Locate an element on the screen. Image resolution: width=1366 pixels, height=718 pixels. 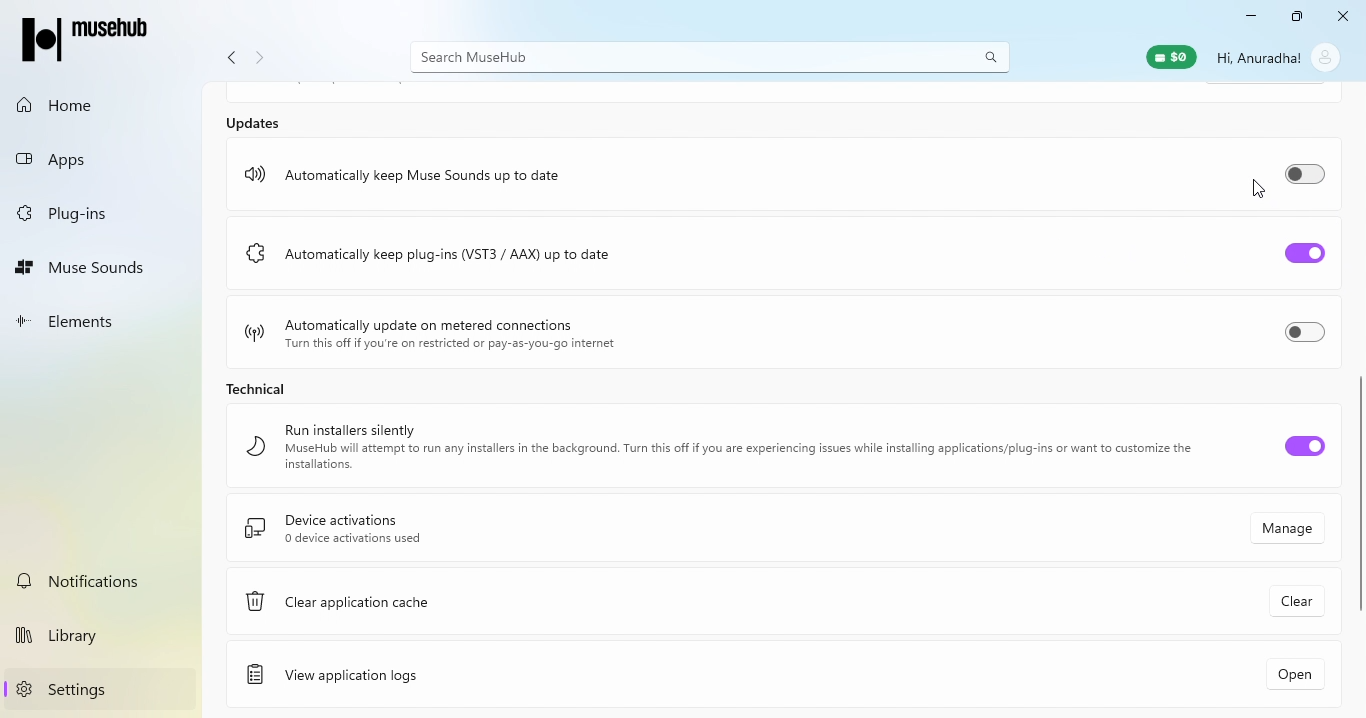
Open is located at coordinates (1289, 673).